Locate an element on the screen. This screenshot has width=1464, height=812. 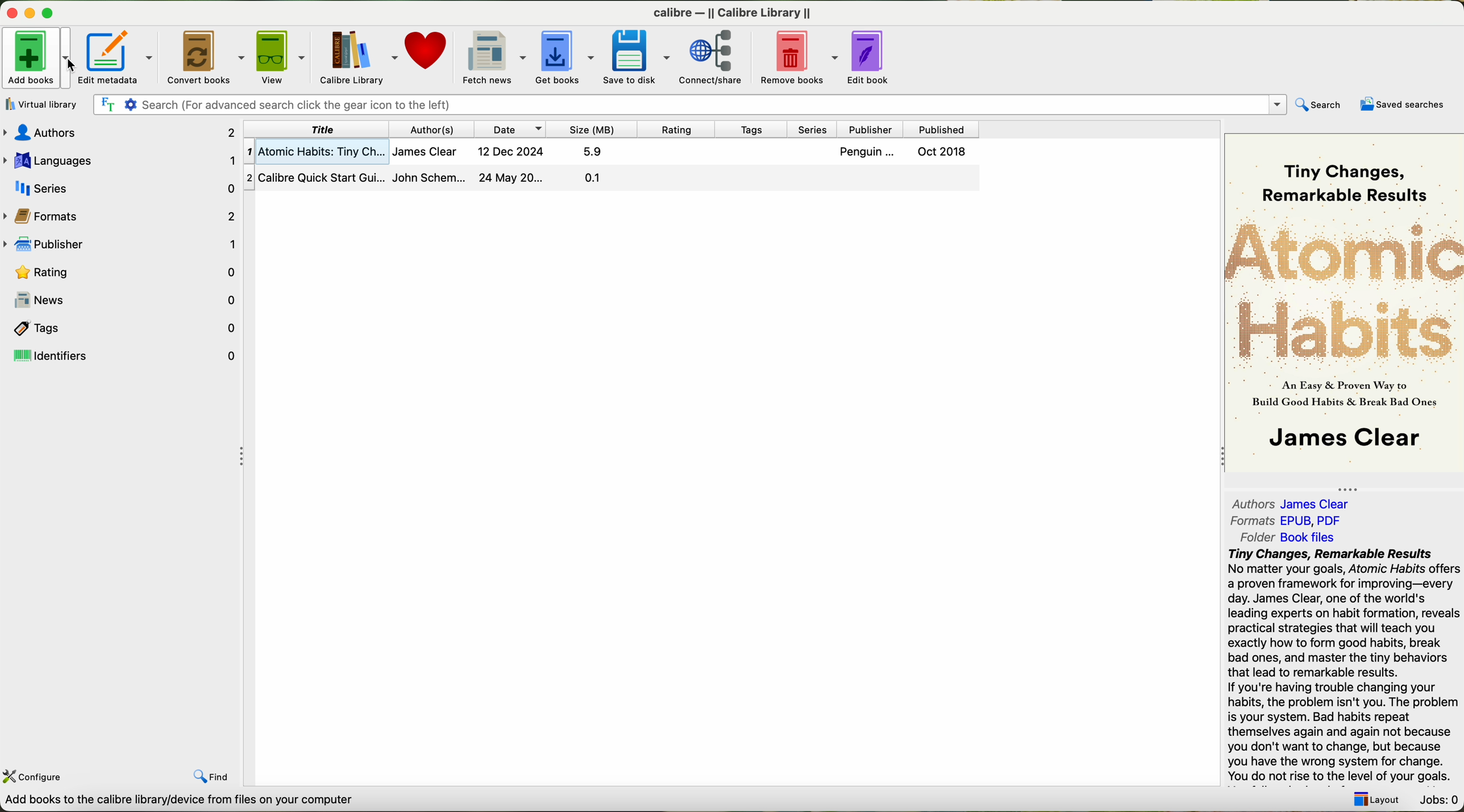
publisher is located at coordinates (121, 242).